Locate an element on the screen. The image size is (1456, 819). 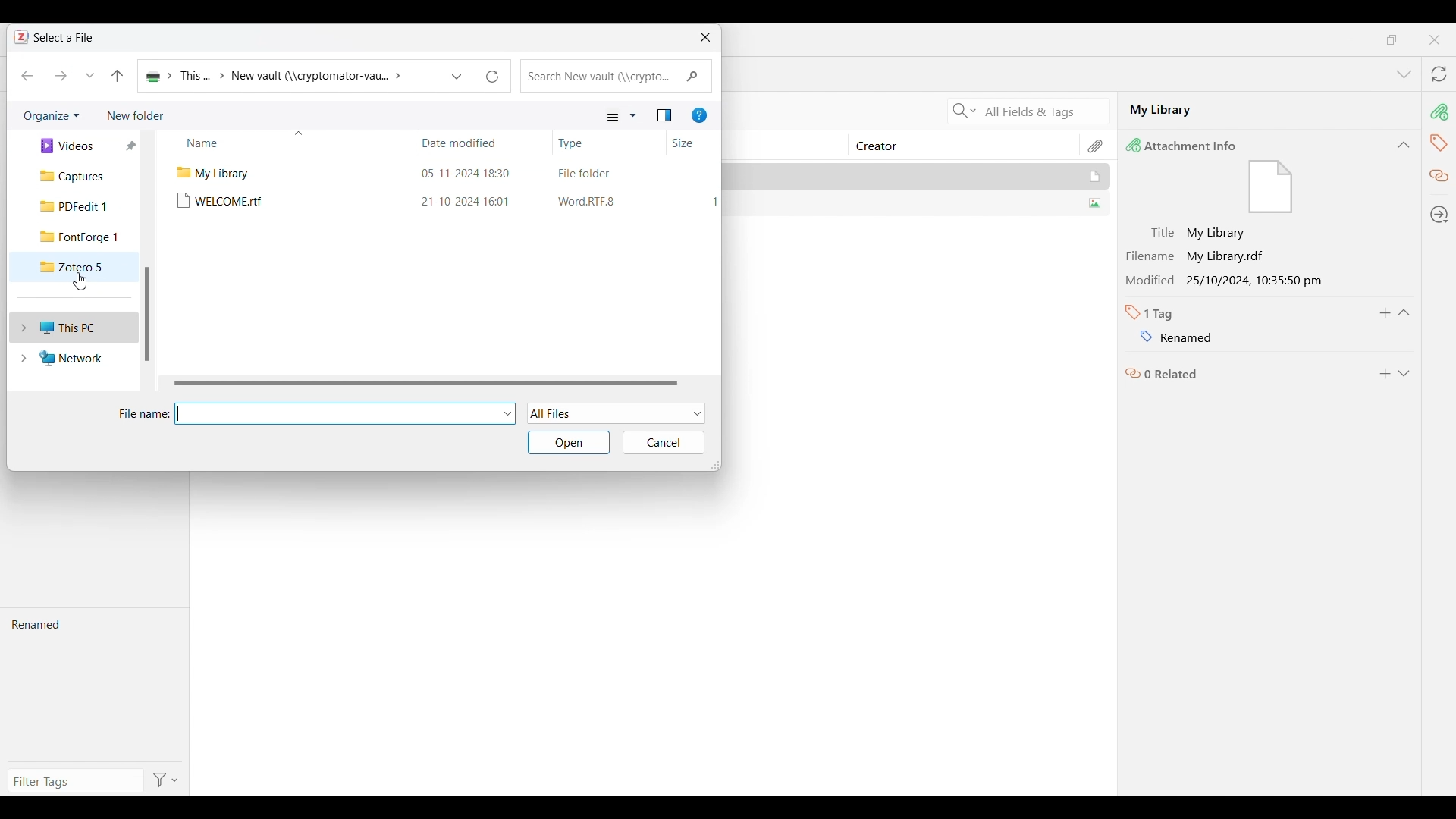
Filter options is located at coordinates (166, 779).